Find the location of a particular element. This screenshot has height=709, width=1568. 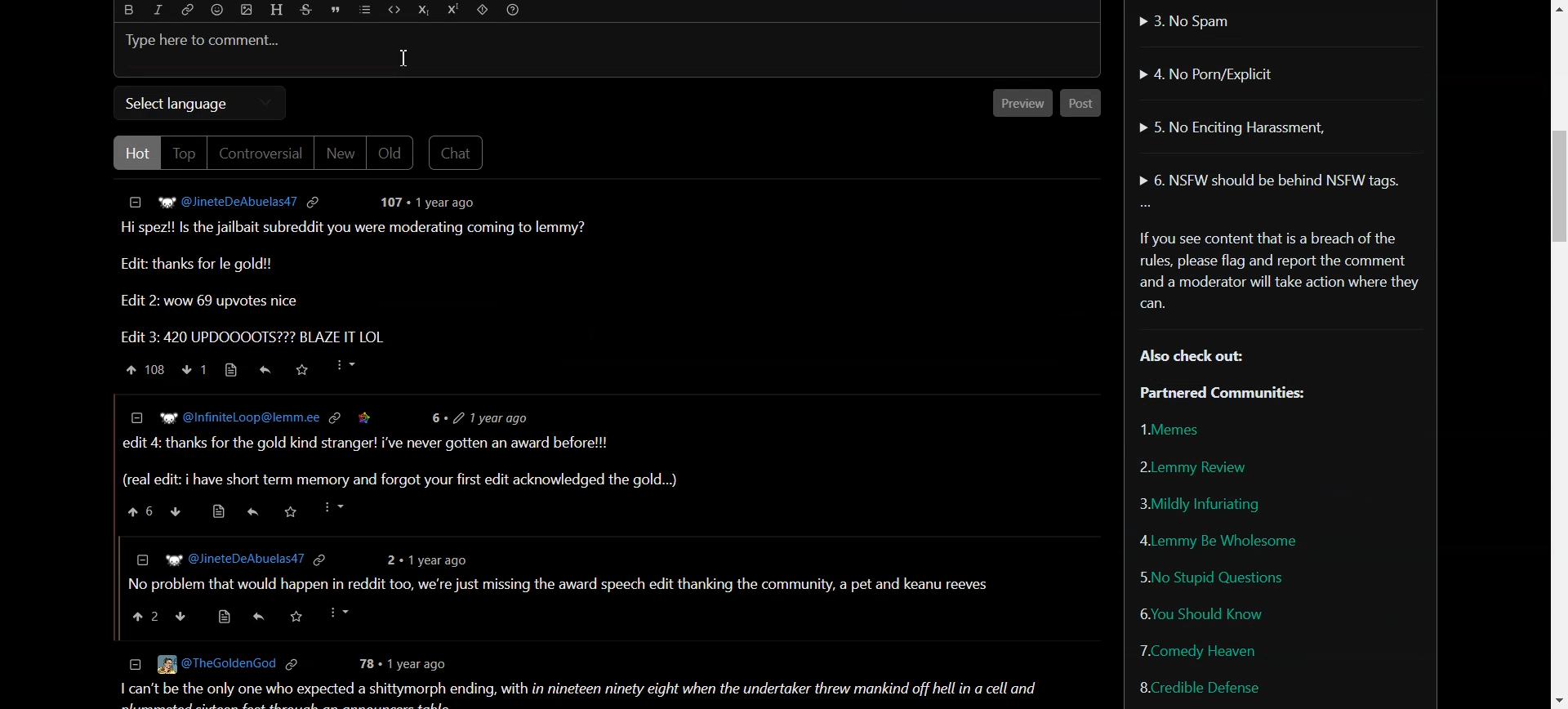

Edit: thanks for le gold!! is located at coordinates (190, 263).